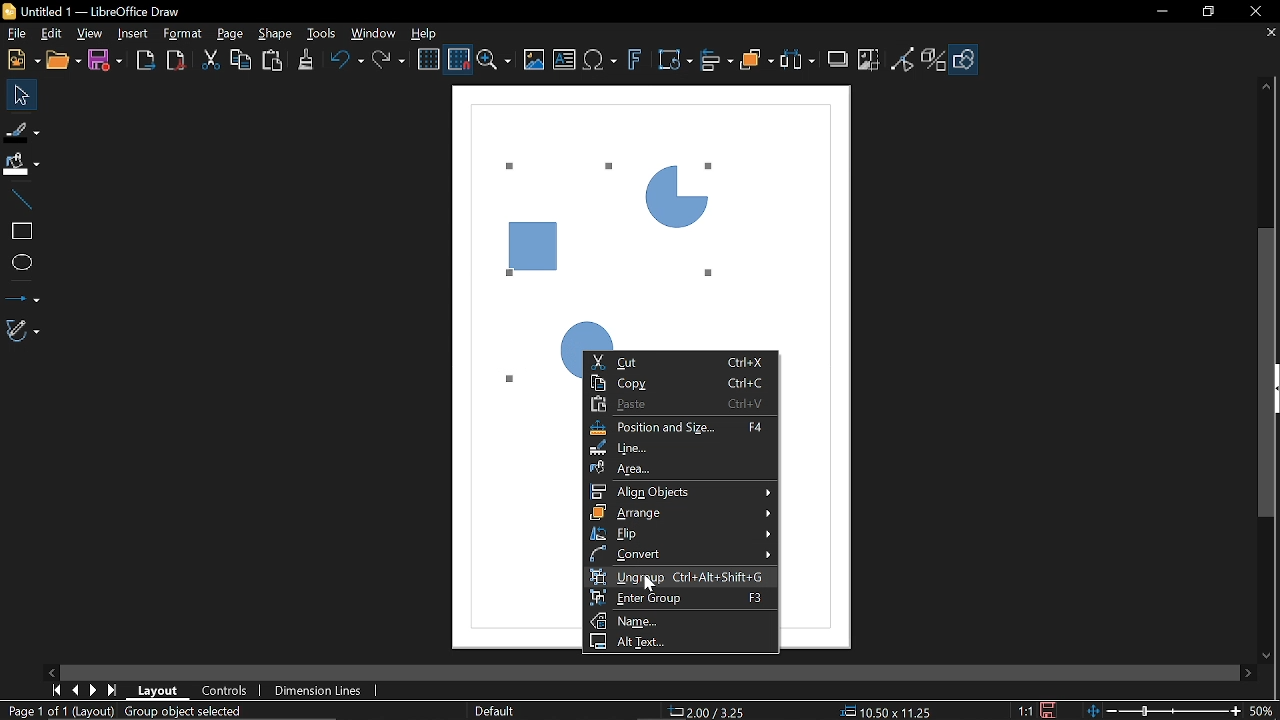  What do you see at coordinates (604, 250) in the screenshot?
I see `Current Diagram ` at bounding box center [604, 250].